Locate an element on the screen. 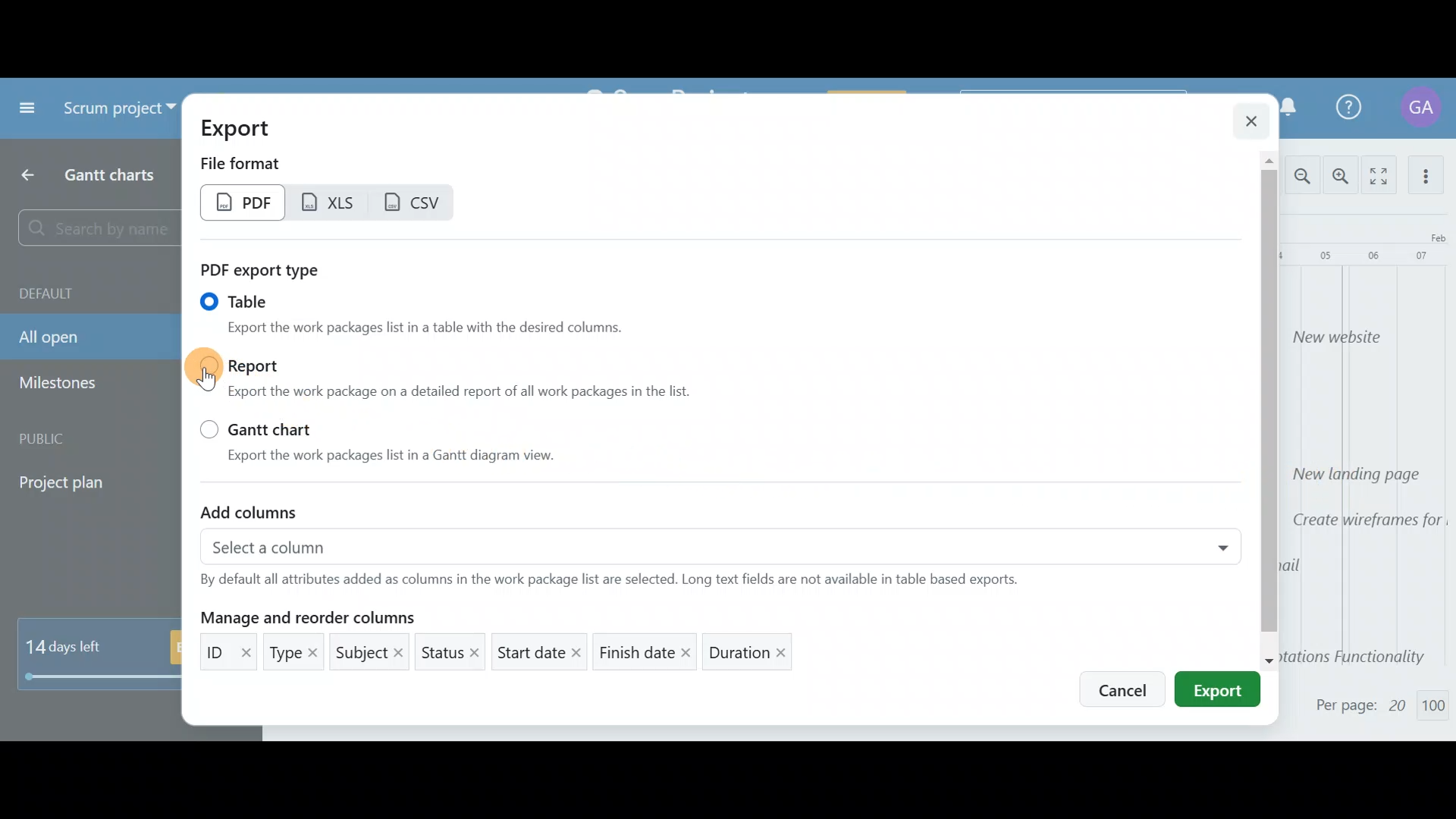 This screenshot has width=1456, height=819. Scrum project is located at coordinates (118, 108).